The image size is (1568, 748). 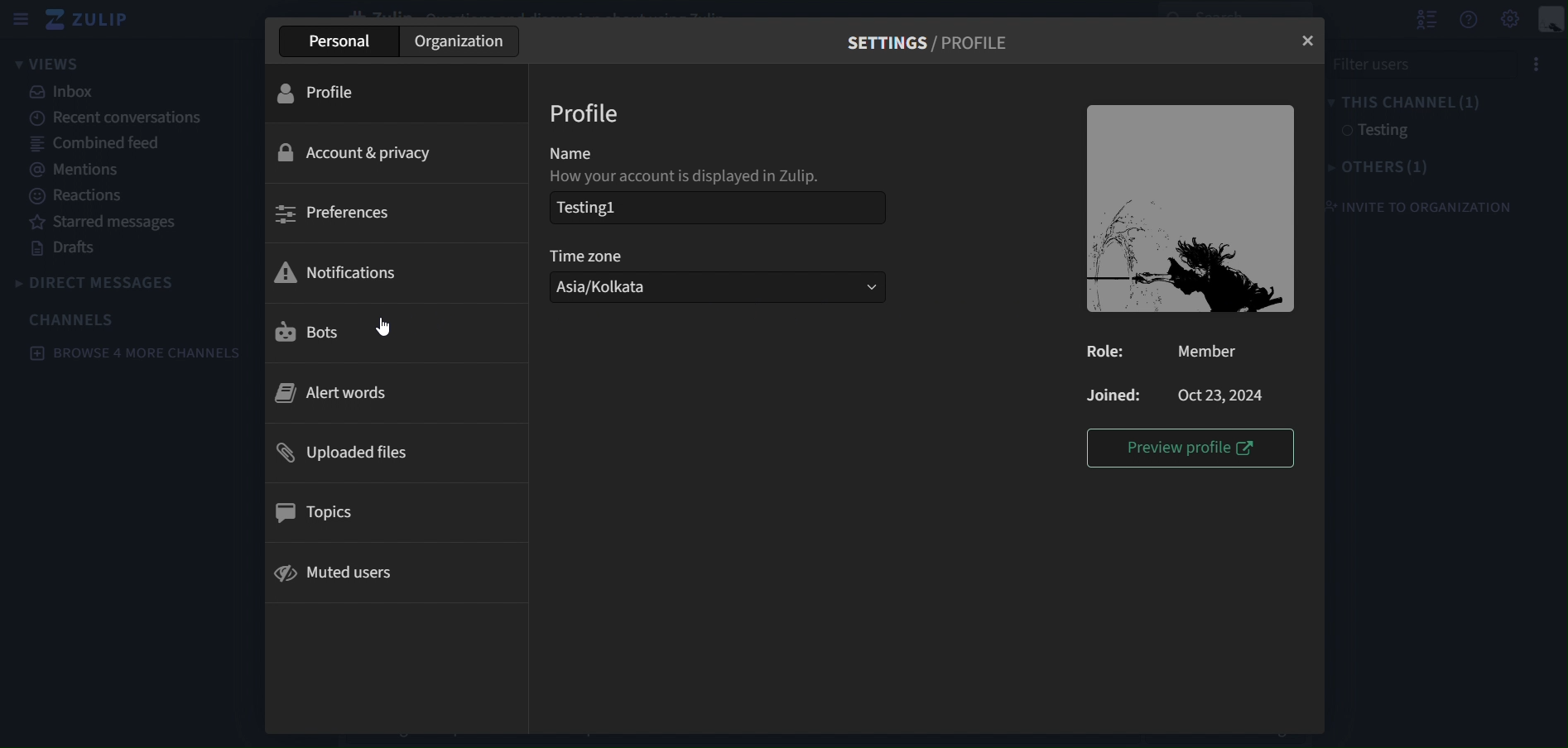 What do you see at coordinates (339, 332) in the screenshot?
I see `bots` at bounding box center [339, 332].